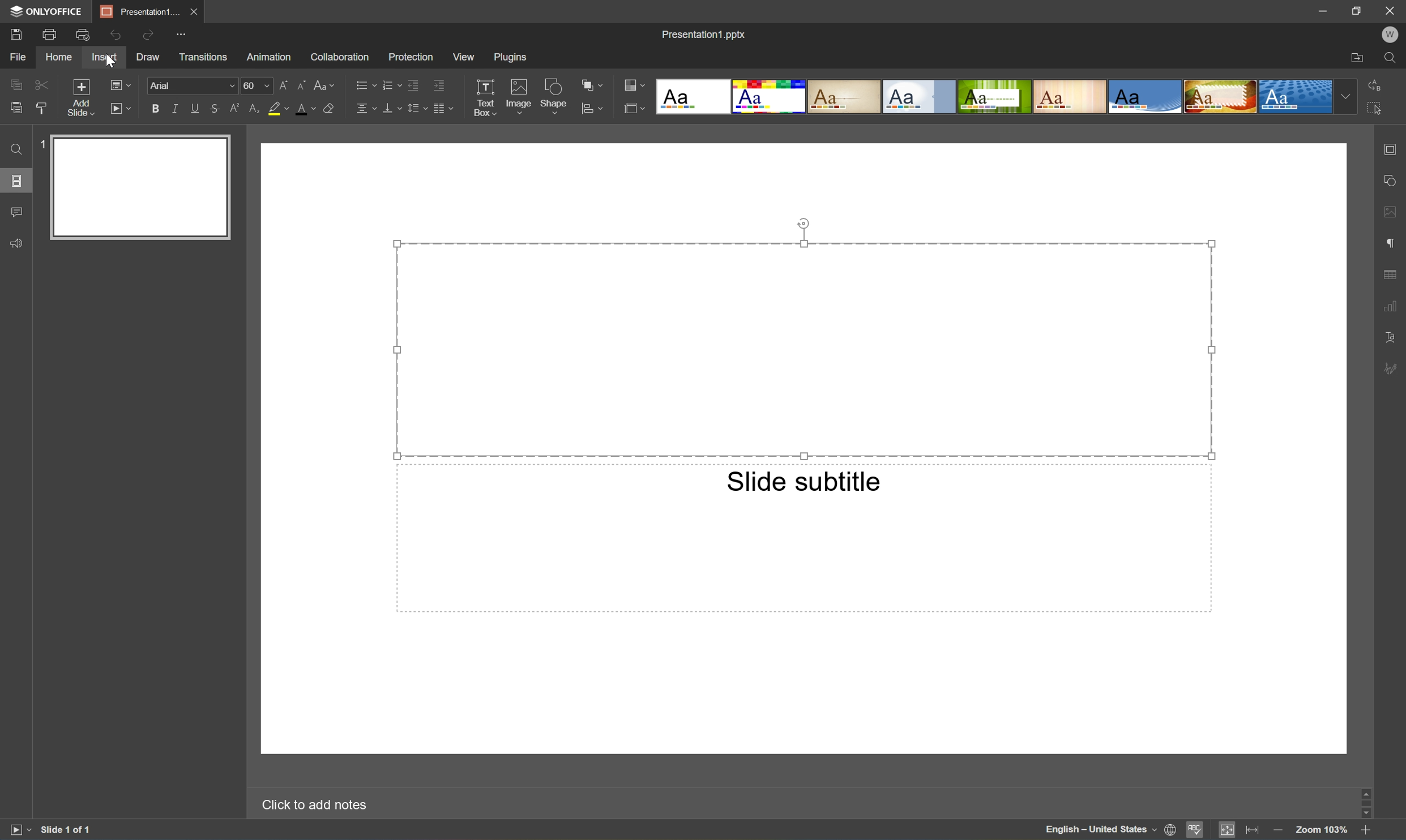 This screenshot has width=1406, height=840. Describe the element at coordinates (112, 36) in the screenshot. I see `Undo` at that location.